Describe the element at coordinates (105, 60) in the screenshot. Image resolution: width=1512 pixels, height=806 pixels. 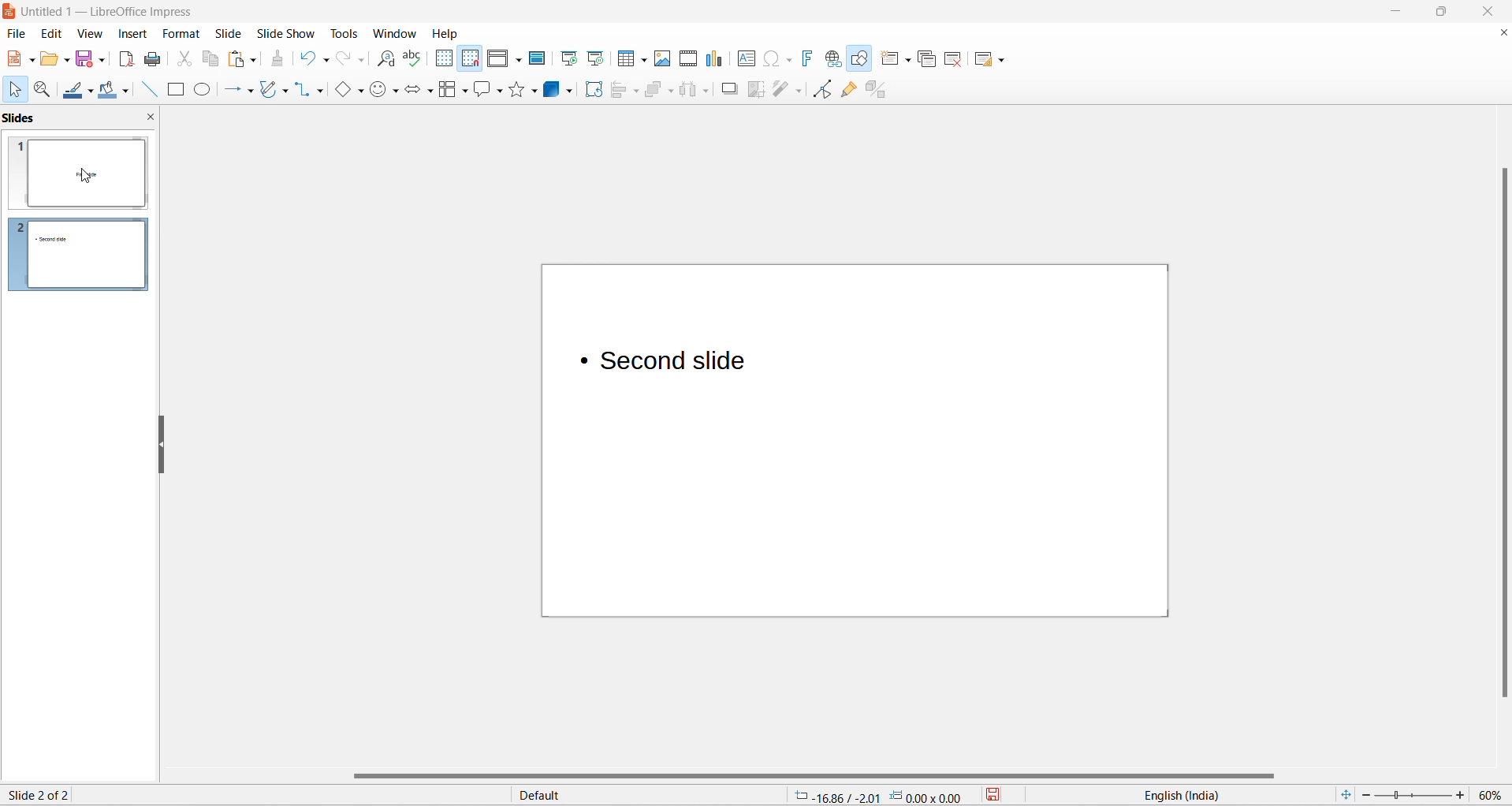
I see `save options` at that location.